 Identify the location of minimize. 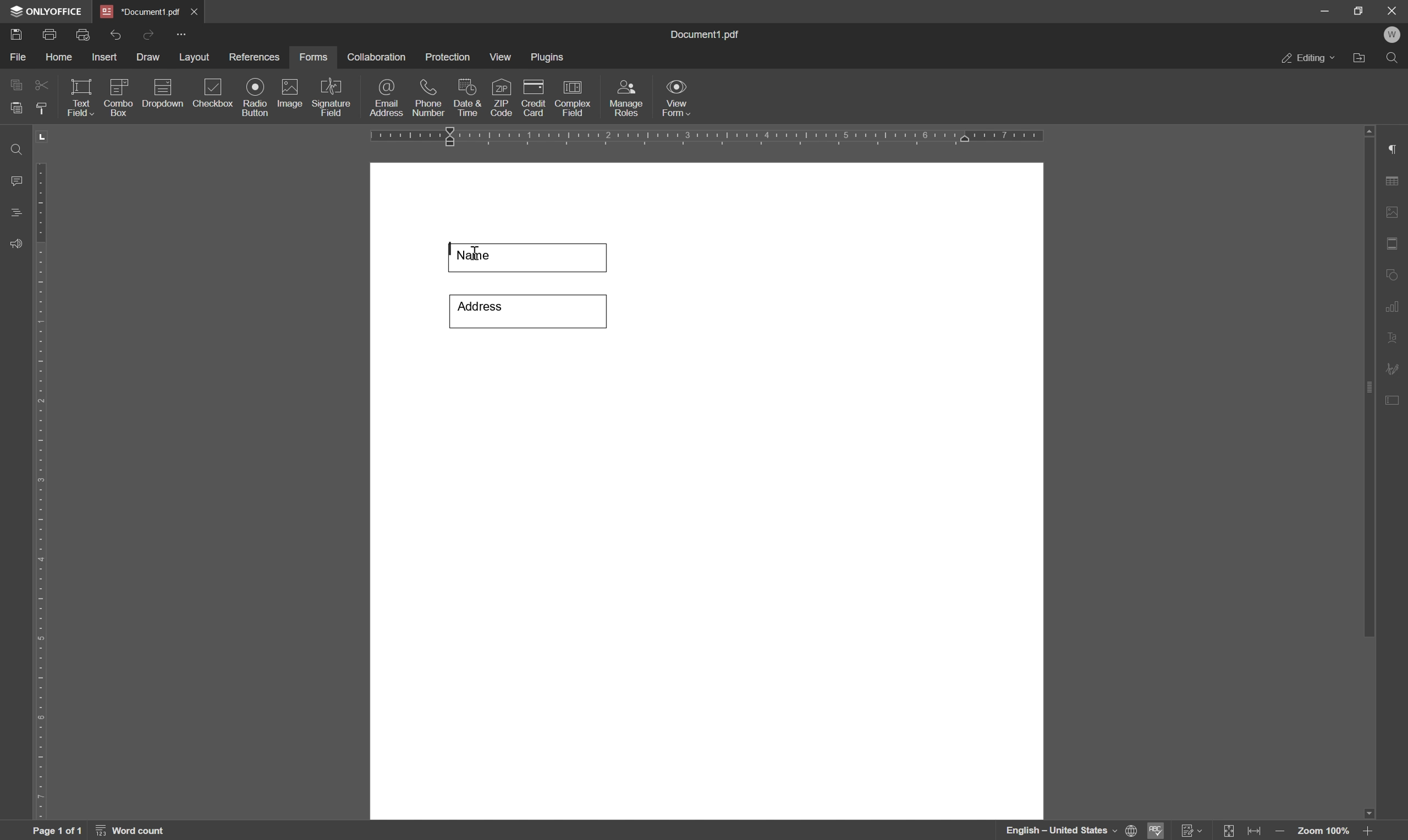
(1319, 10).